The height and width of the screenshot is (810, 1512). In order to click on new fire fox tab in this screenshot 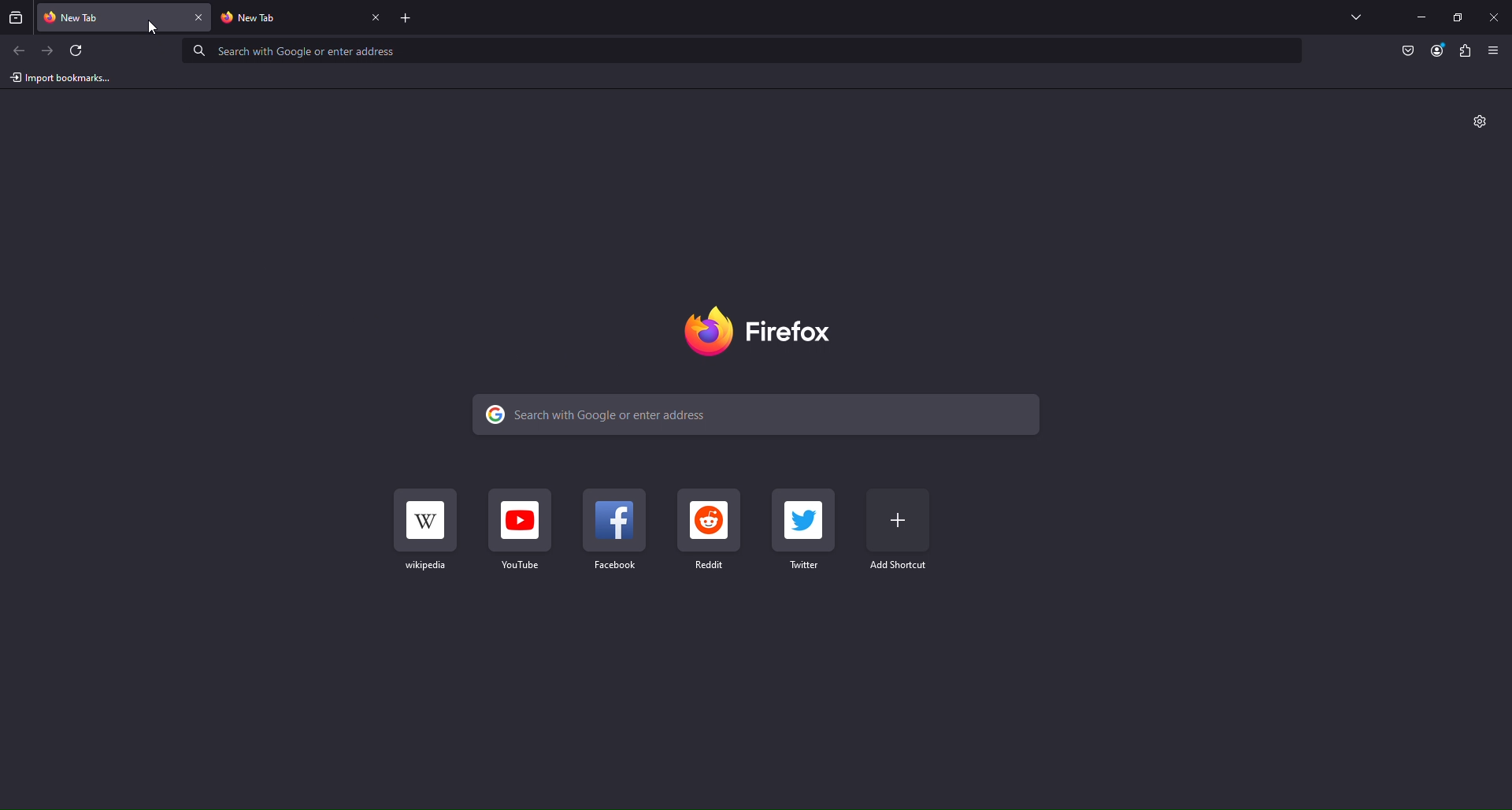, I will do `click(111, 17)`.